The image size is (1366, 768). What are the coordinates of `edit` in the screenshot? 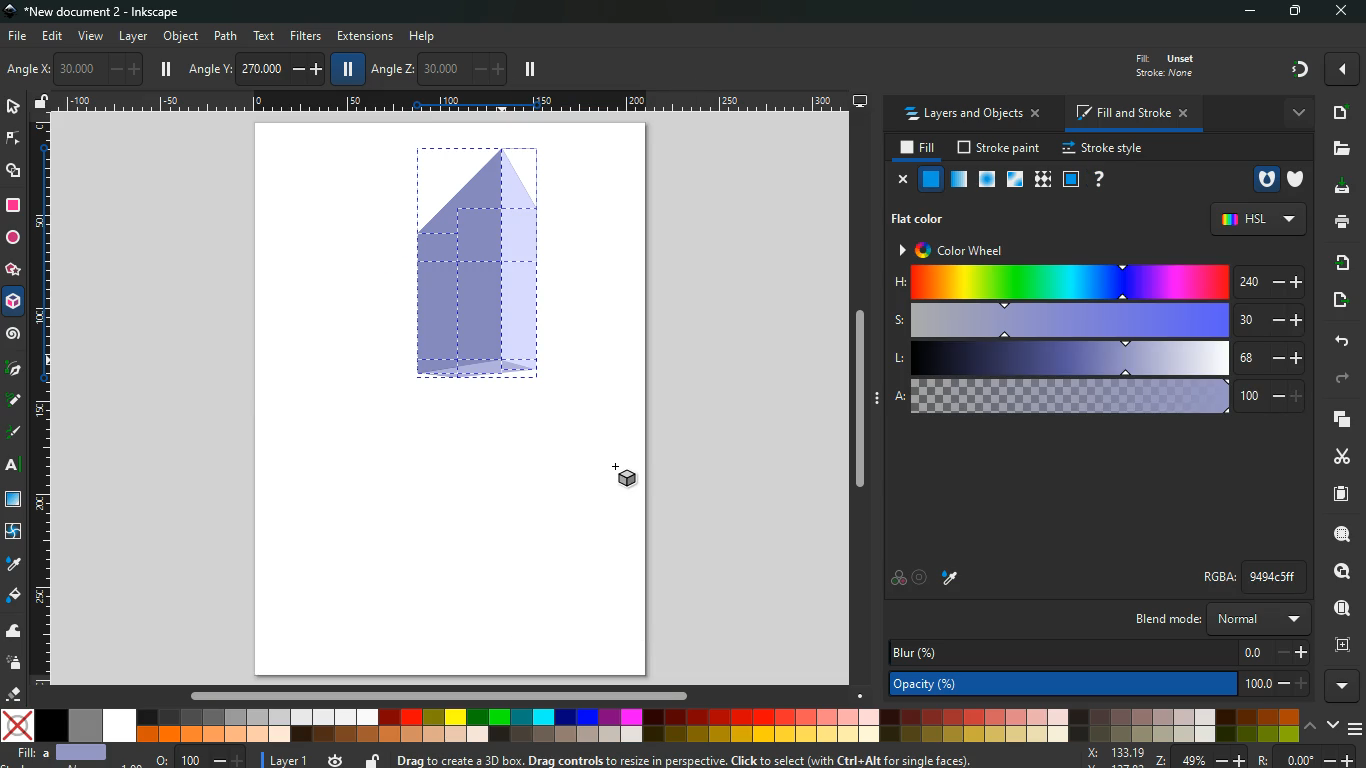 It's located at (54, 36).